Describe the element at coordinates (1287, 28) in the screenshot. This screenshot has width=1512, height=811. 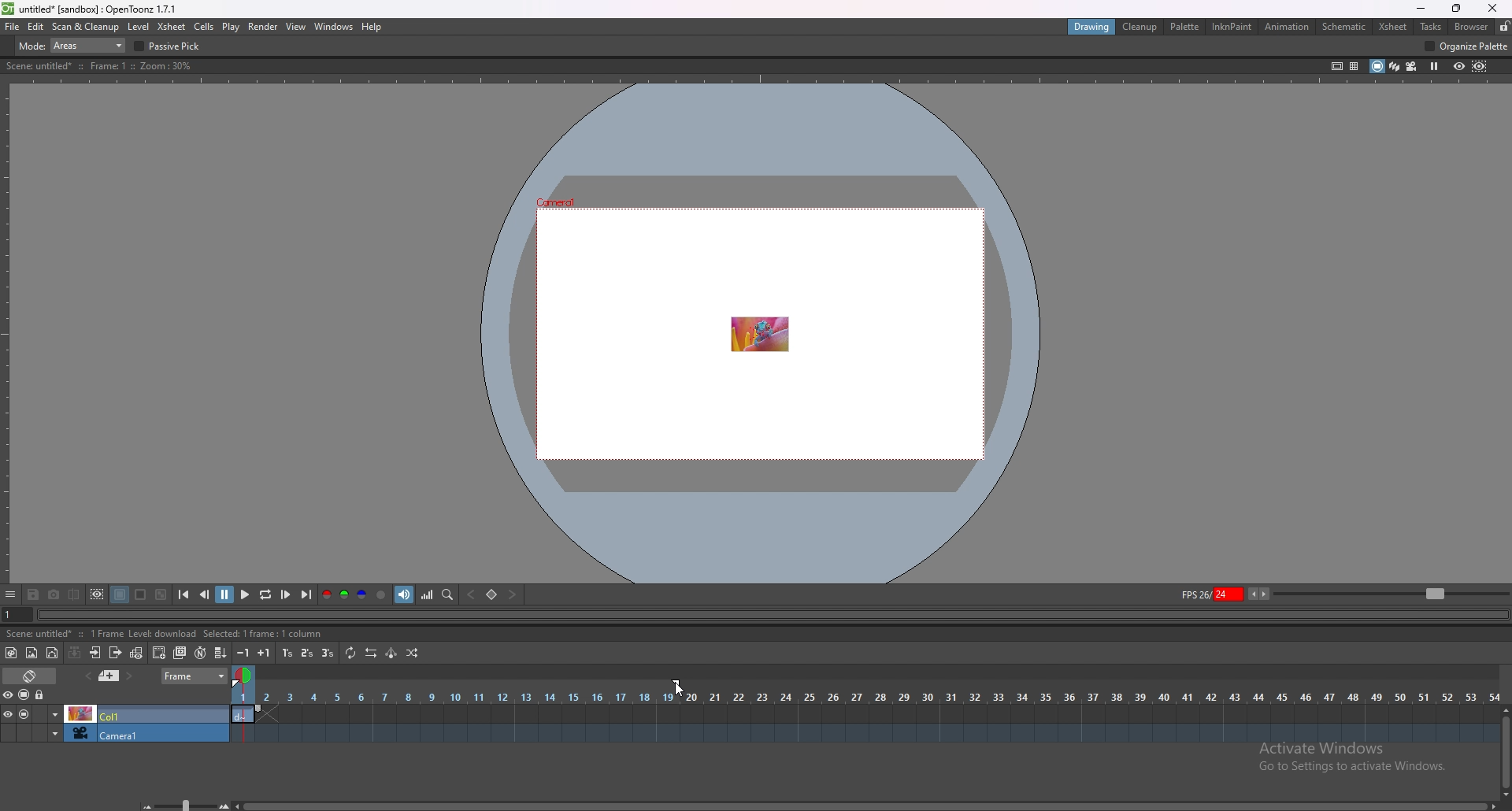
I see `animation` at that location.